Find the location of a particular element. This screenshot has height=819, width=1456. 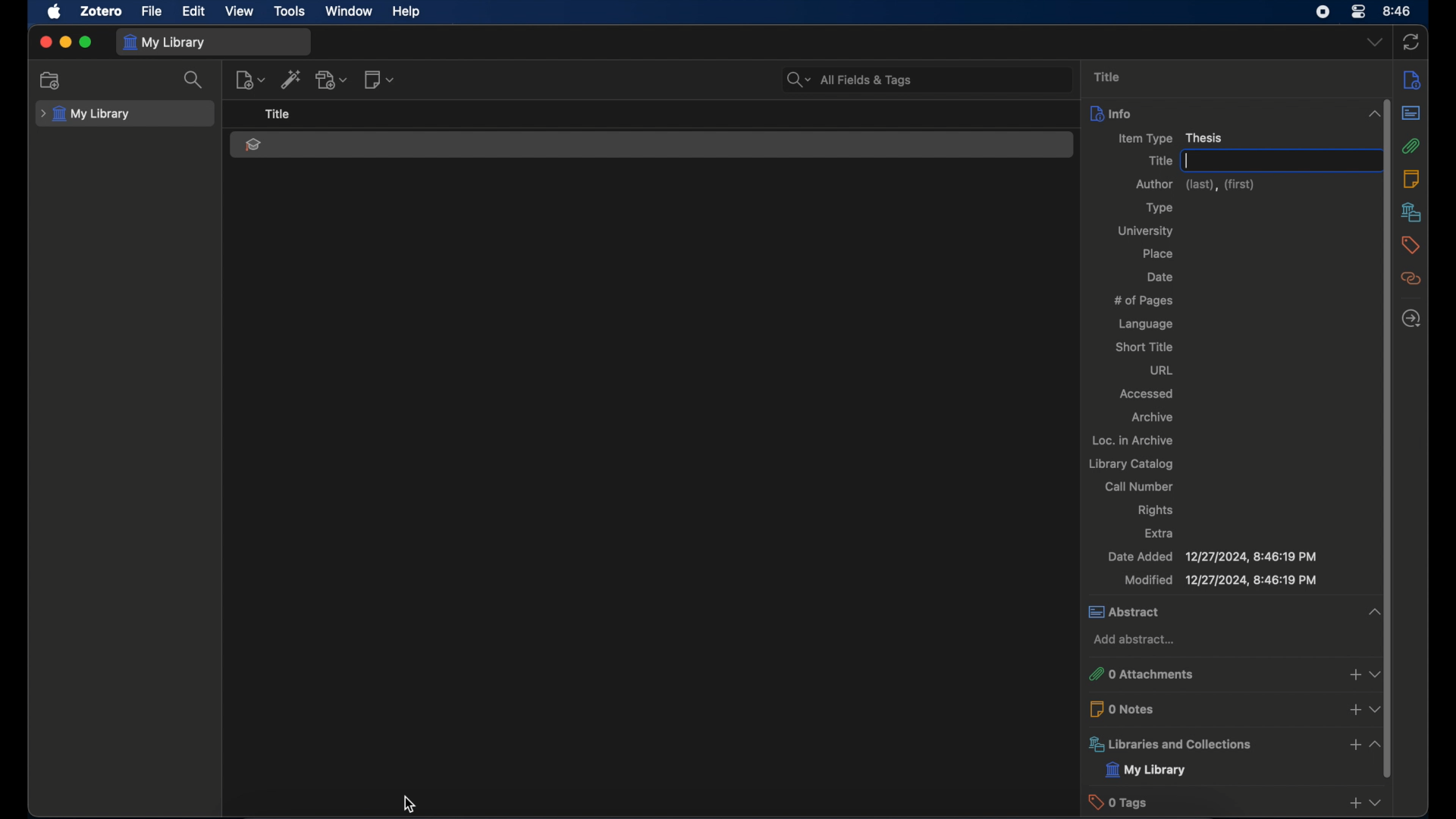

dropdown is located at coordinates (1376, 709).